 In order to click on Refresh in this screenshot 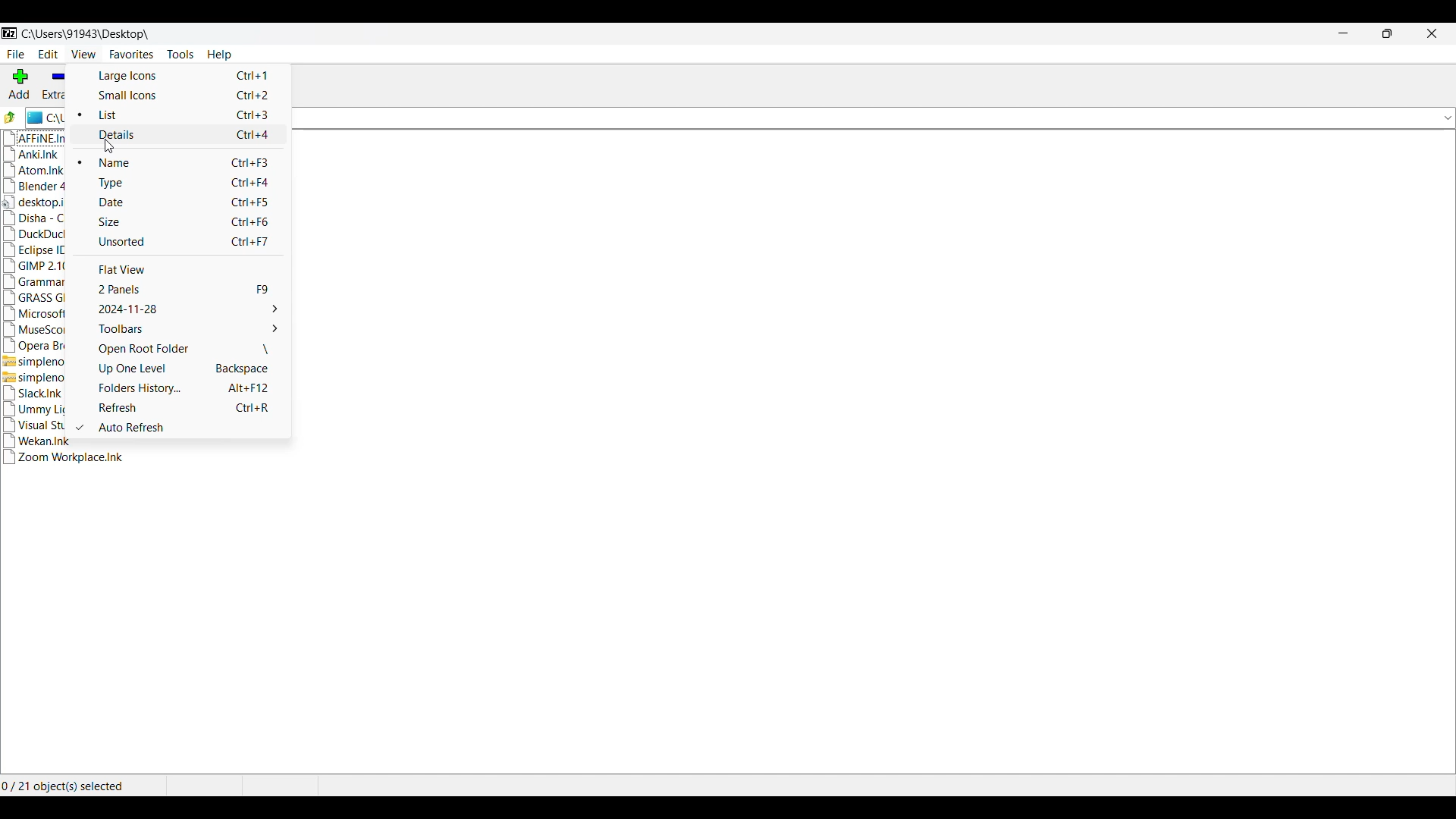, I will do `click(189, 407)`.